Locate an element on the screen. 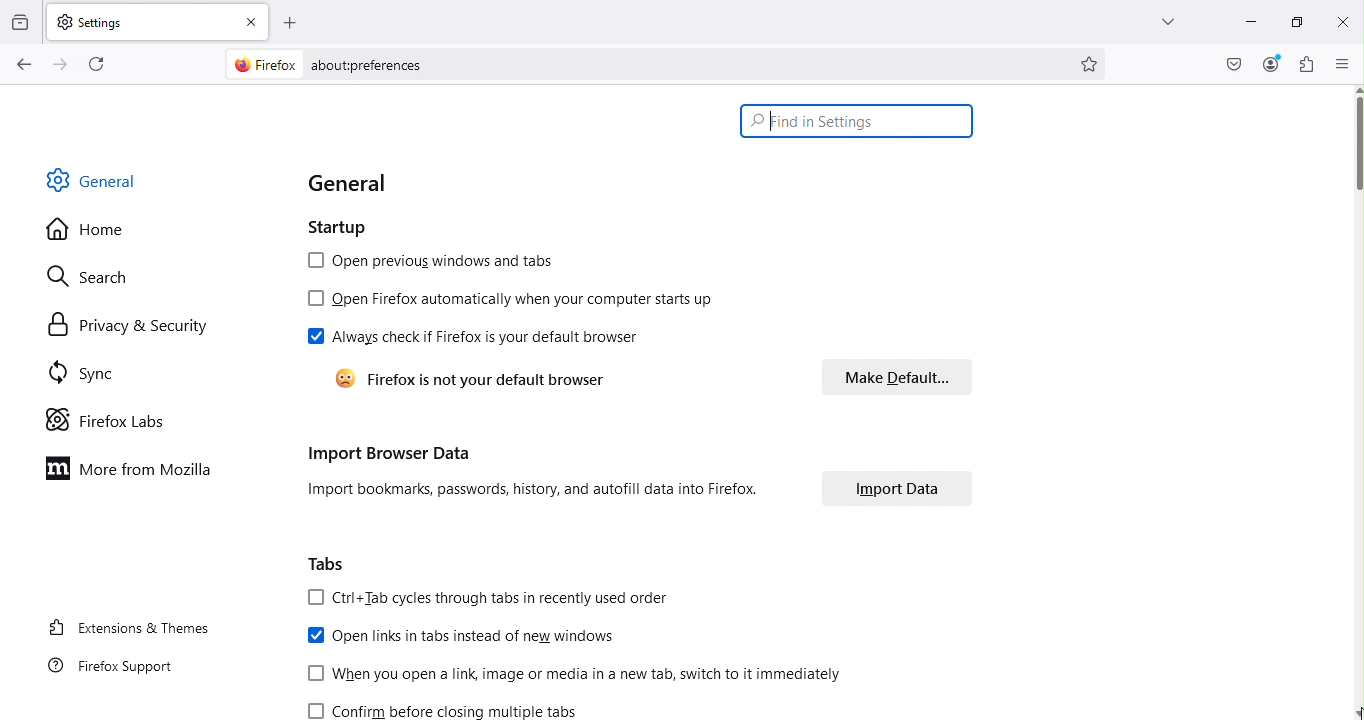 The width and height of the screenshot is (1364, 720). Home is located at coordinates (86, 230).